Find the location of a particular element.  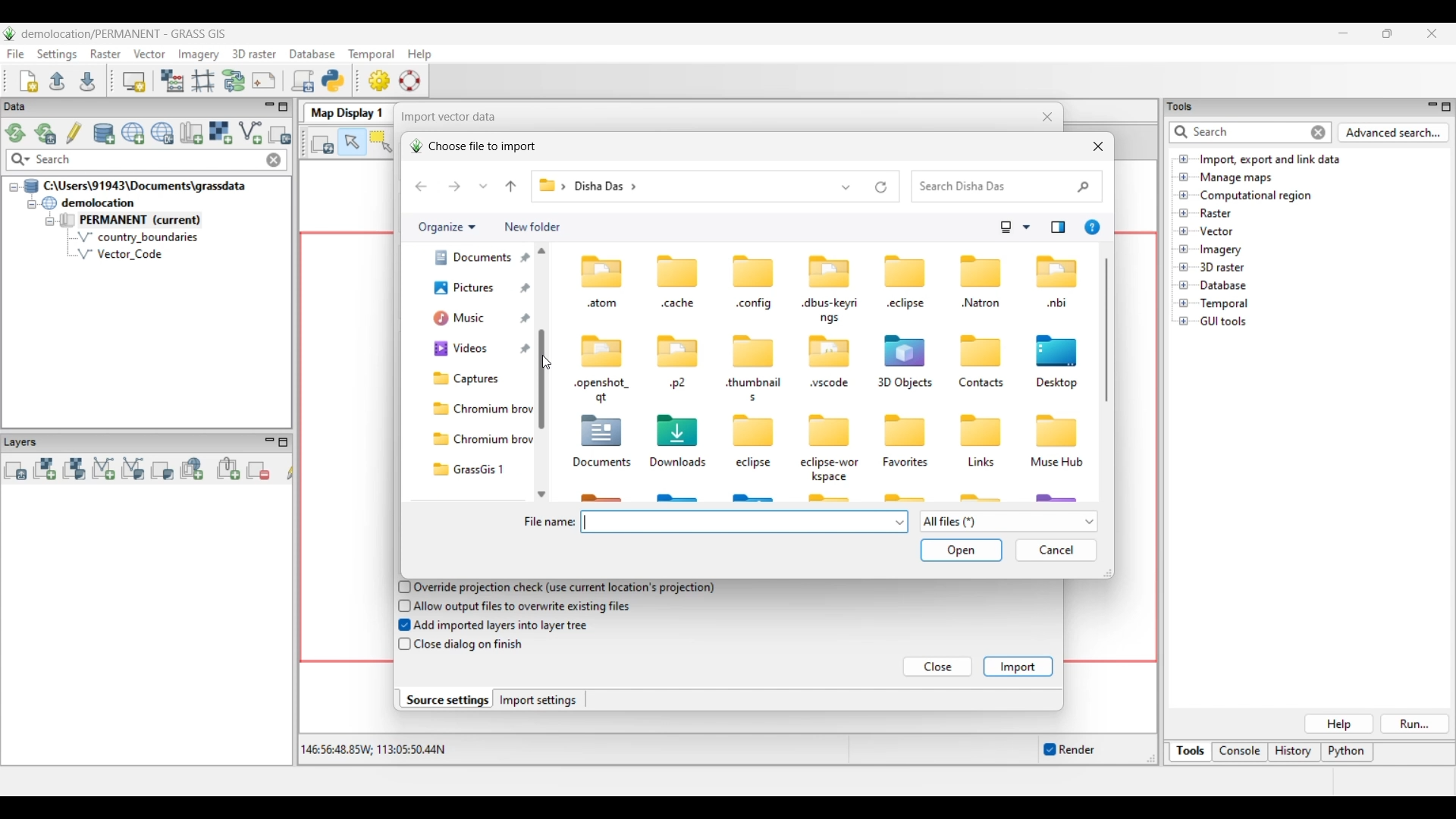

Python is located at coordinates (1348, 753).